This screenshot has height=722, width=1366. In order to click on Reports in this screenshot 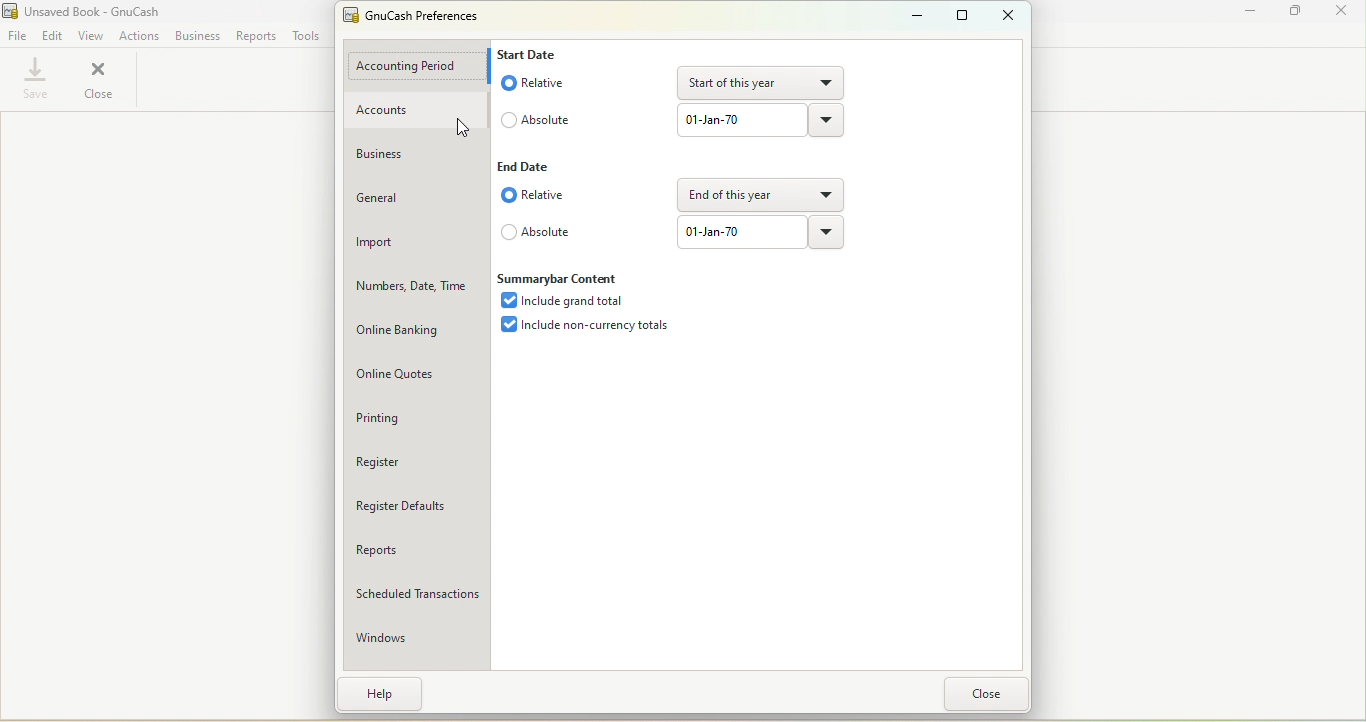, I will do `click(415, 546)`.